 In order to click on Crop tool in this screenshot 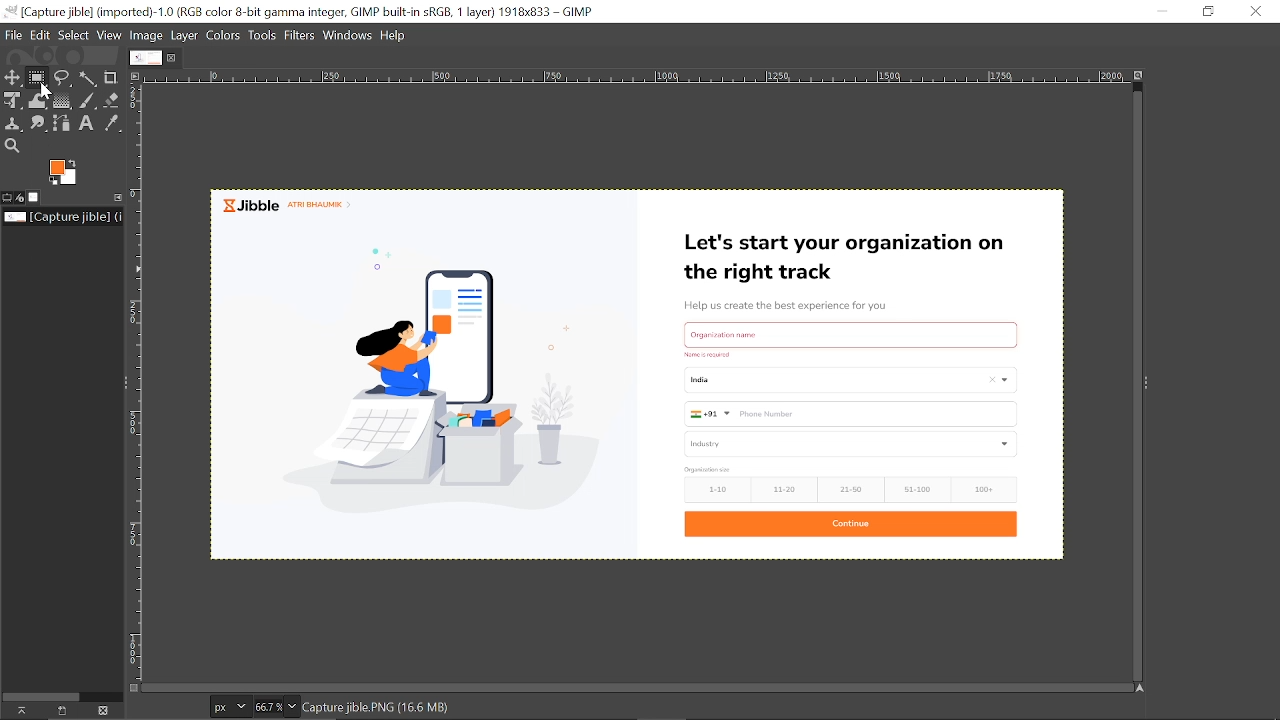, I will do `click(112, 77)`.